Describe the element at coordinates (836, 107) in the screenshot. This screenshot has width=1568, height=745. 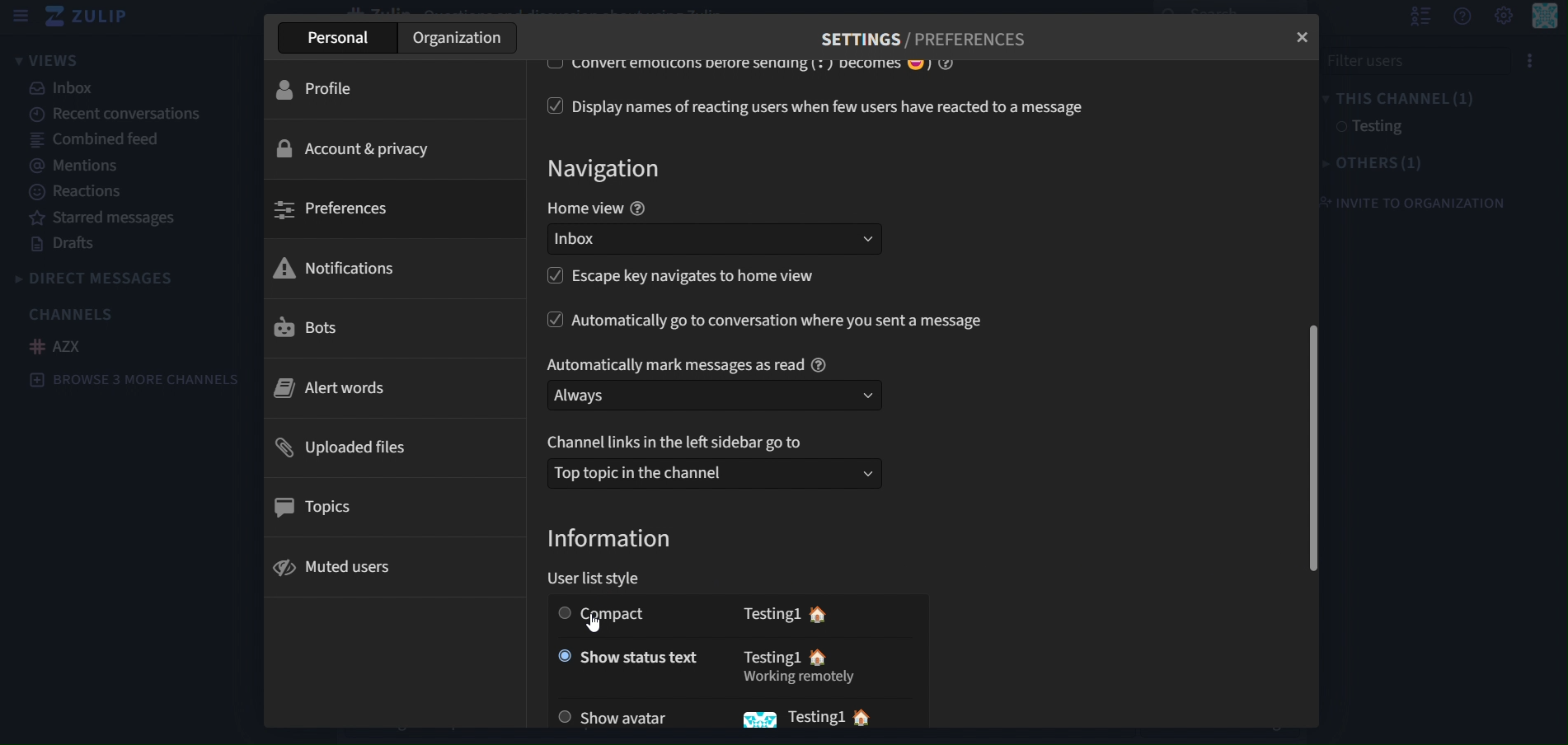
I see `Display names of reacting users when few users have reacted to a message` at that location.